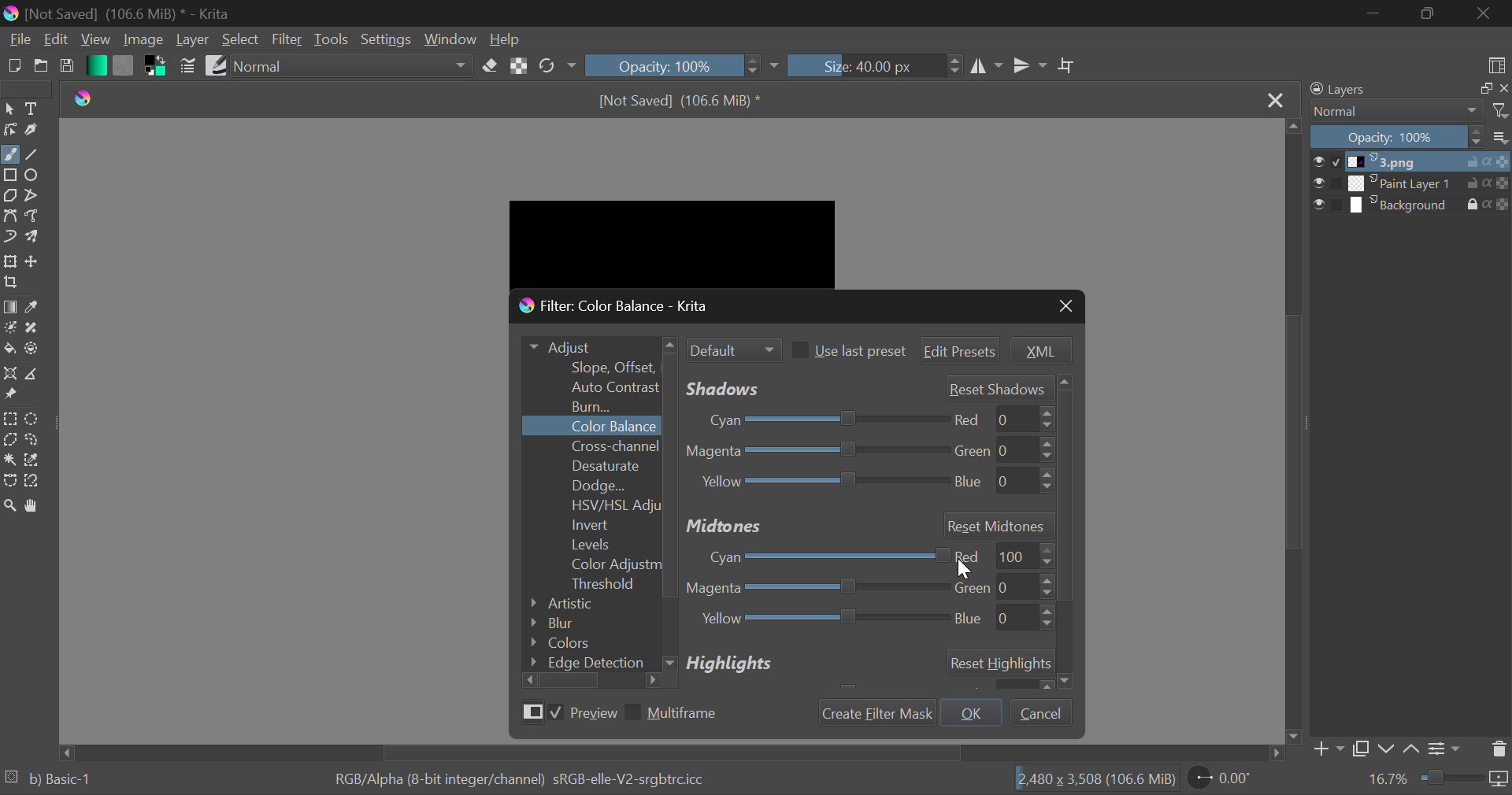  I want to click on Scroll Bar, so click(1295, 432).